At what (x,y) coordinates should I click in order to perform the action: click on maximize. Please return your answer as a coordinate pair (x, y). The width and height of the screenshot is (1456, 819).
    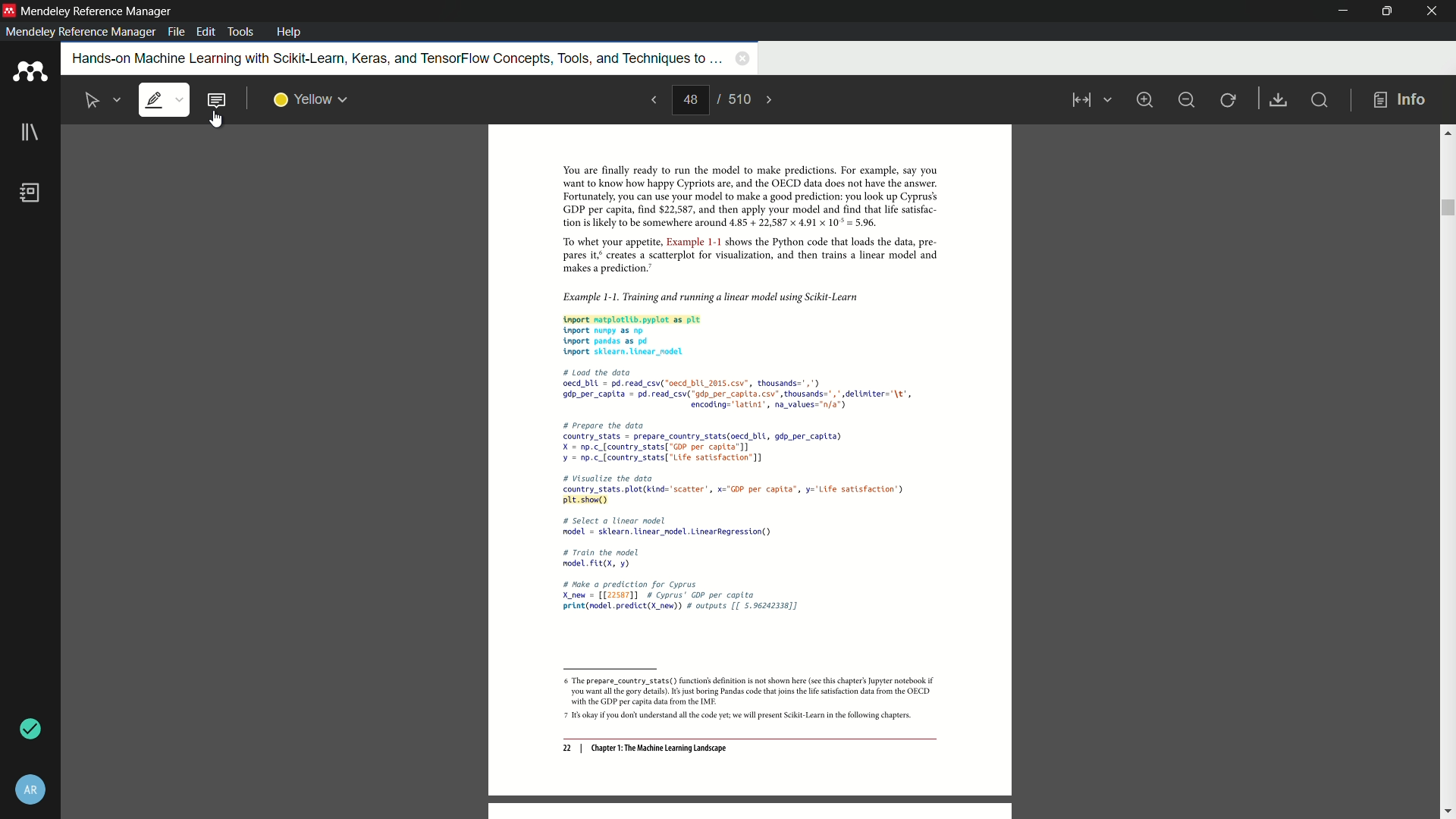
    Looking at the image, I should click on (1384, 11).